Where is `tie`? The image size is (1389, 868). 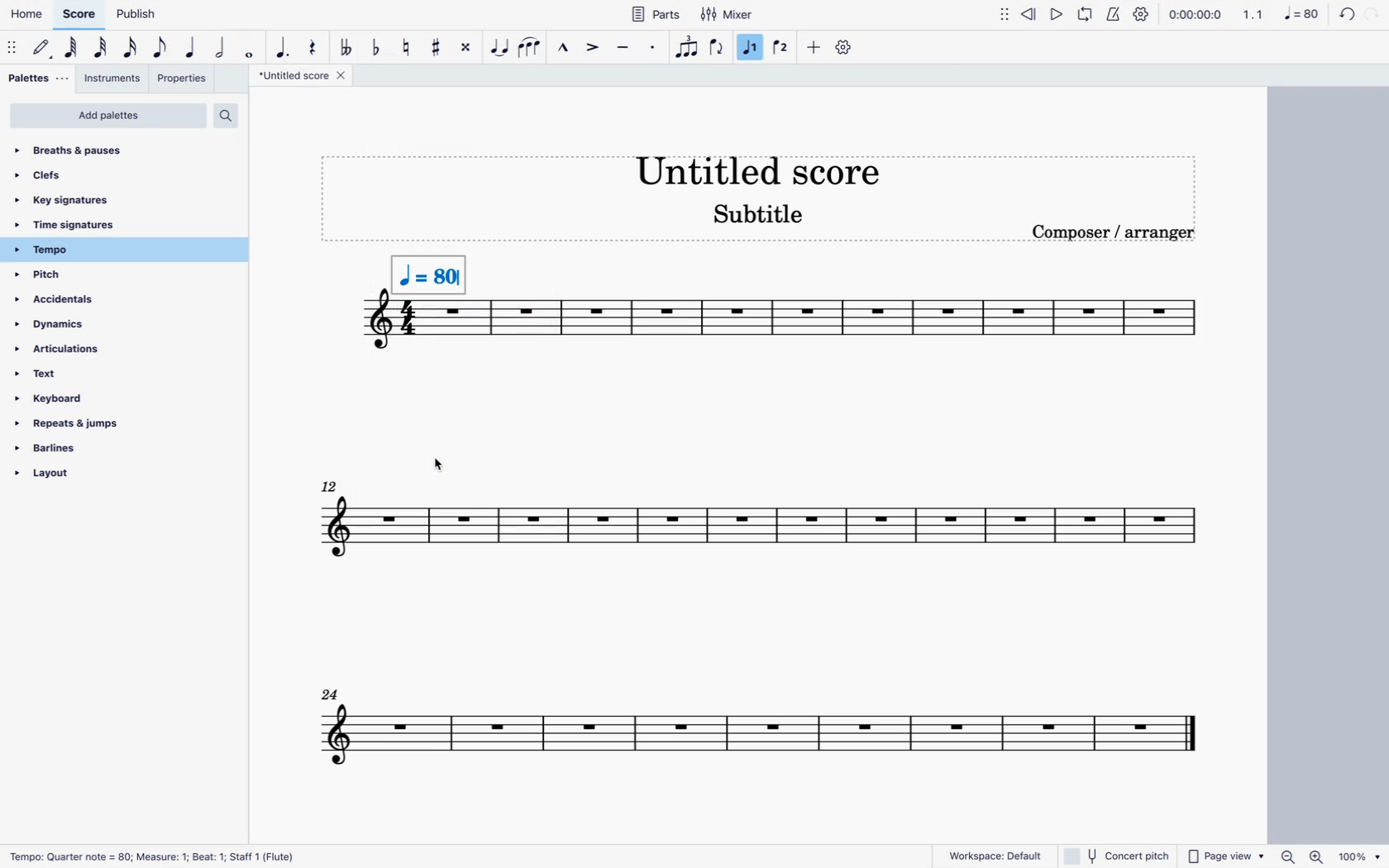
tie is located at coordinates (498, 47).